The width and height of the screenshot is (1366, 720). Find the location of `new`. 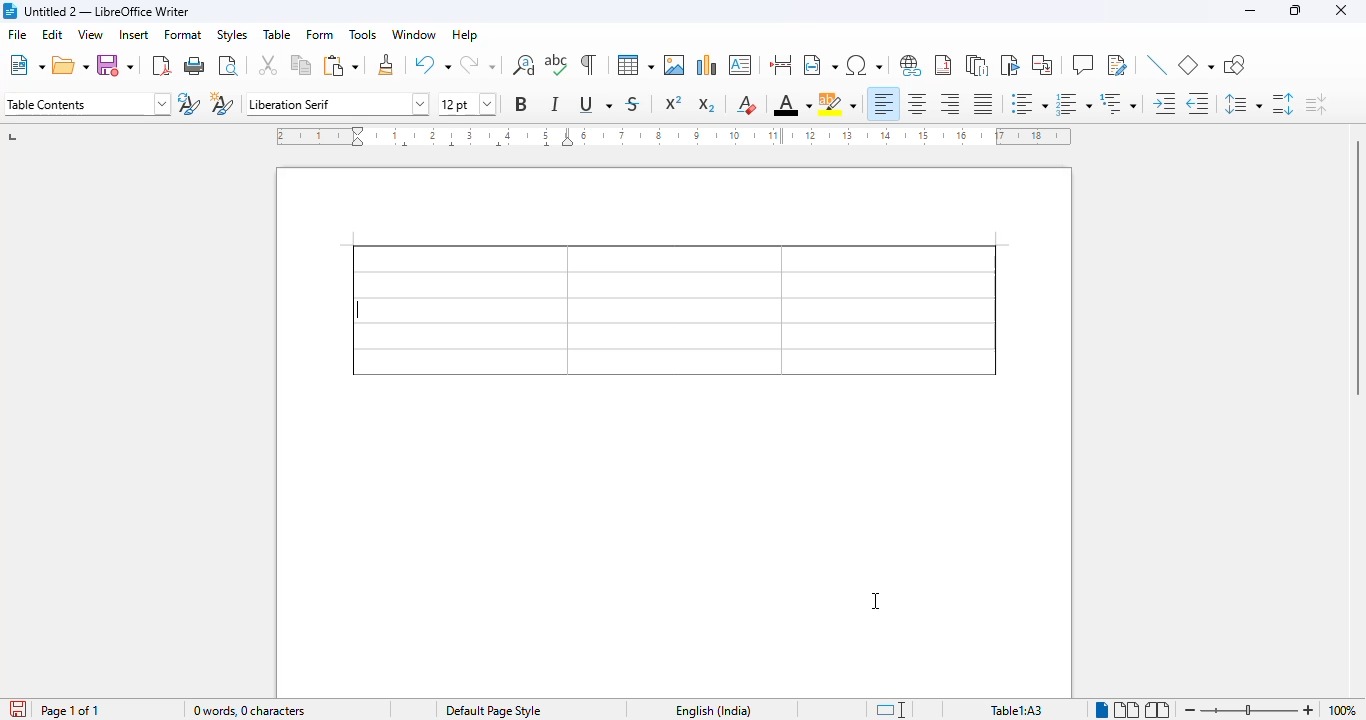

new is located at coordinates (27, 65).